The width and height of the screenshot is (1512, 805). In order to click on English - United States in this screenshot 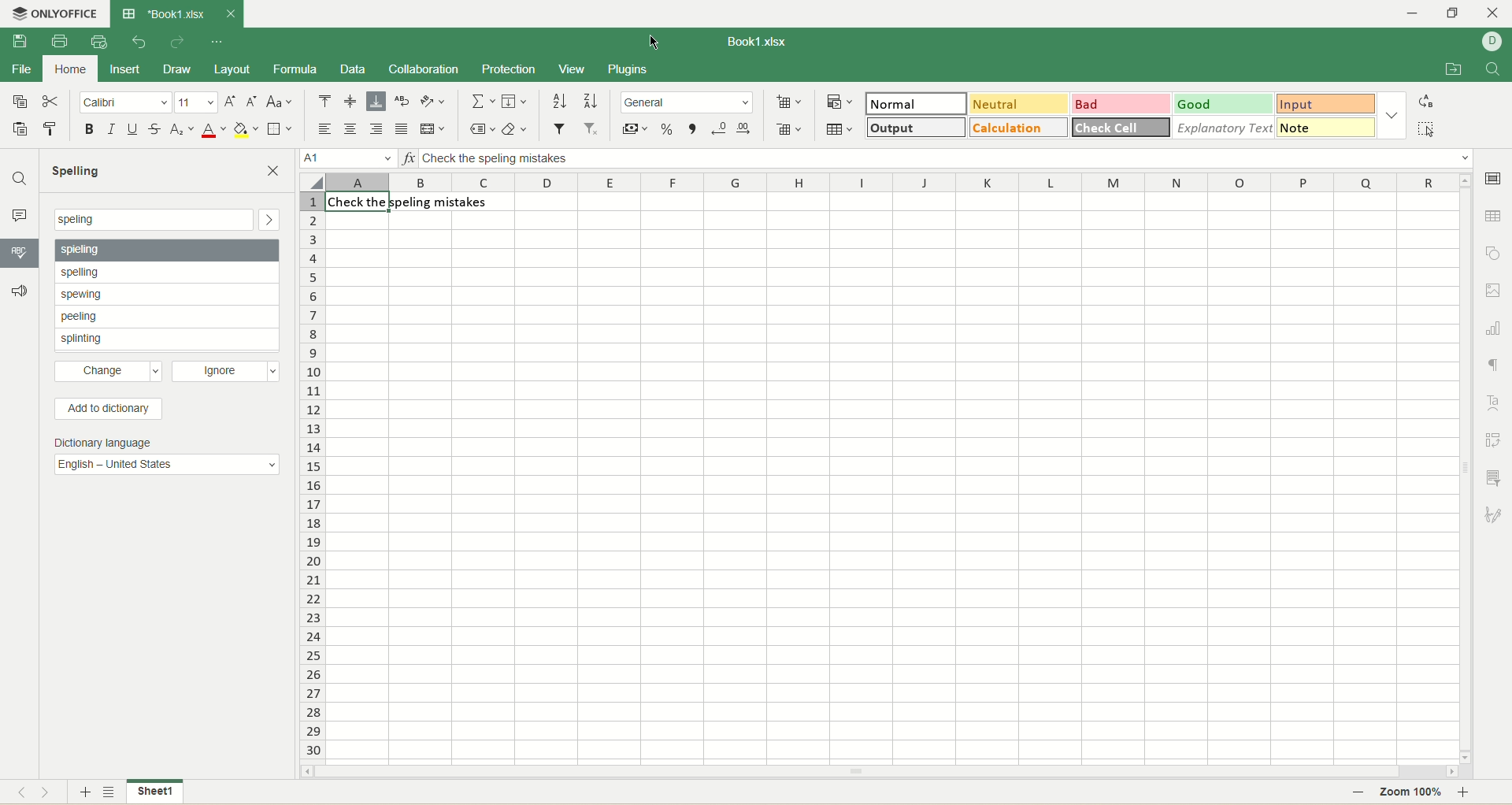, I will do `click(167, 466)`.